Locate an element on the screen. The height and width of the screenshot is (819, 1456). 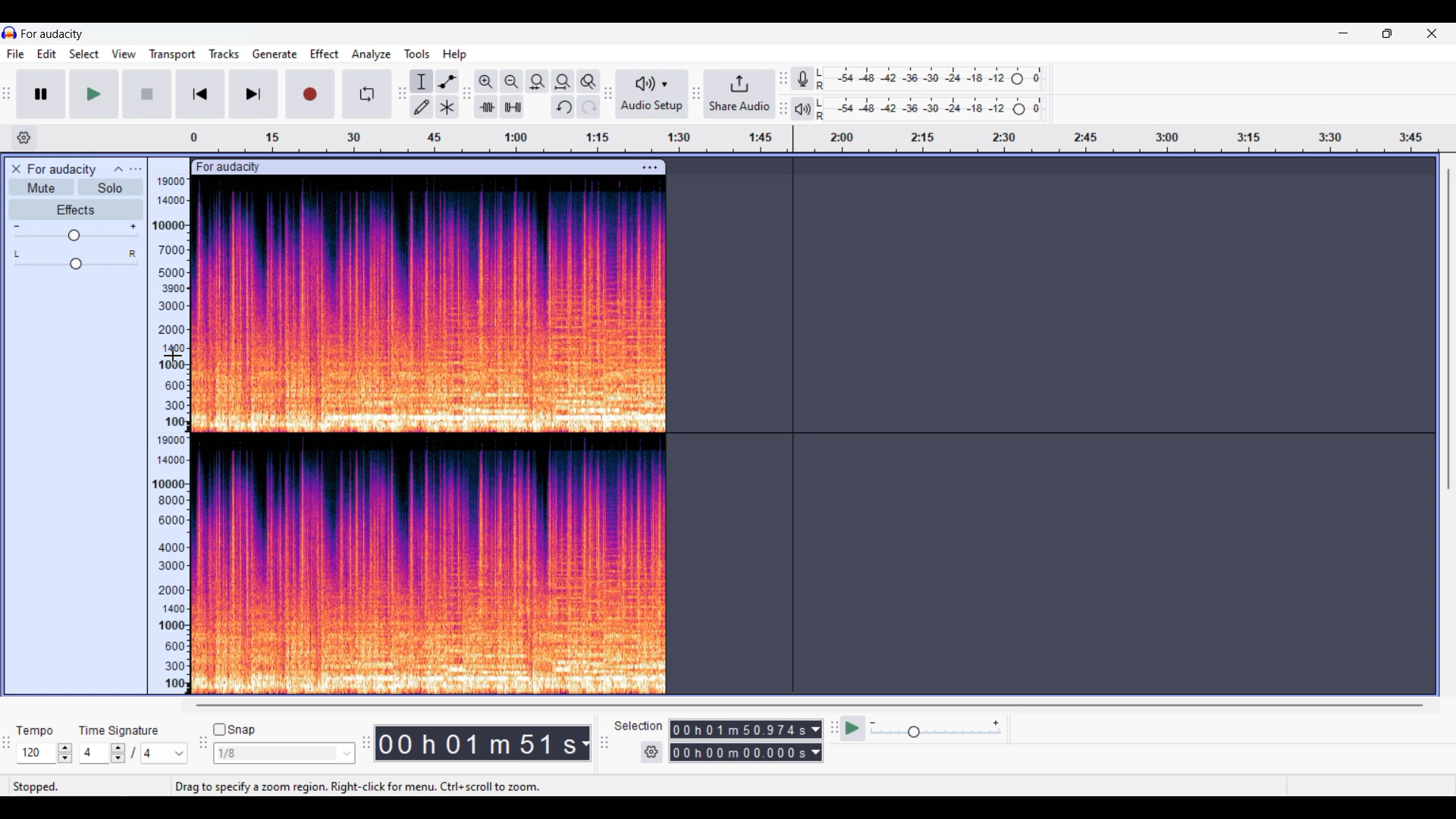
Envelop tool is located at coordinates (447, 81).